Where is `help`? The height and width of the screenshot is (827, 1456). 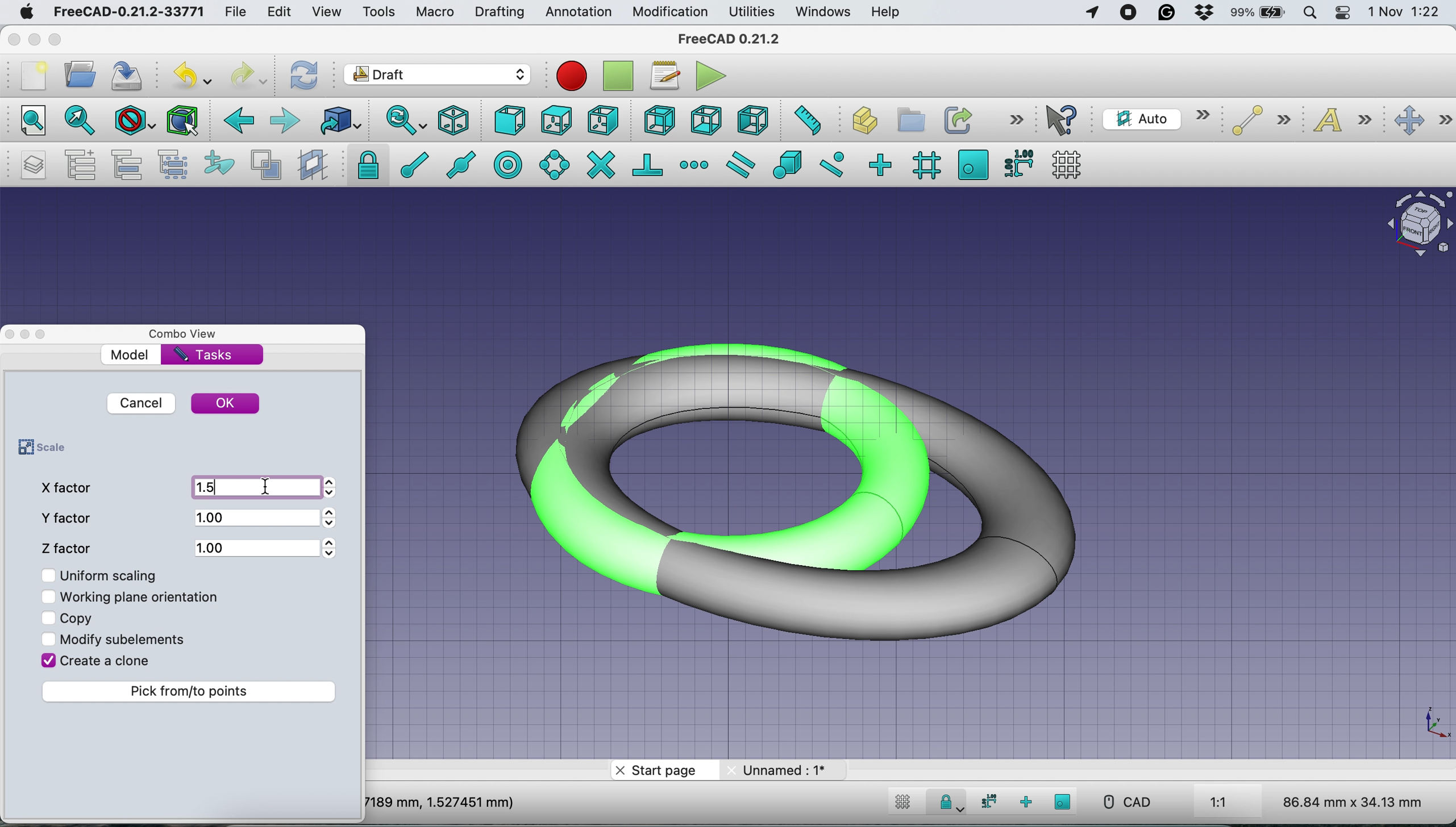 help is located at coordinates (883, 12).